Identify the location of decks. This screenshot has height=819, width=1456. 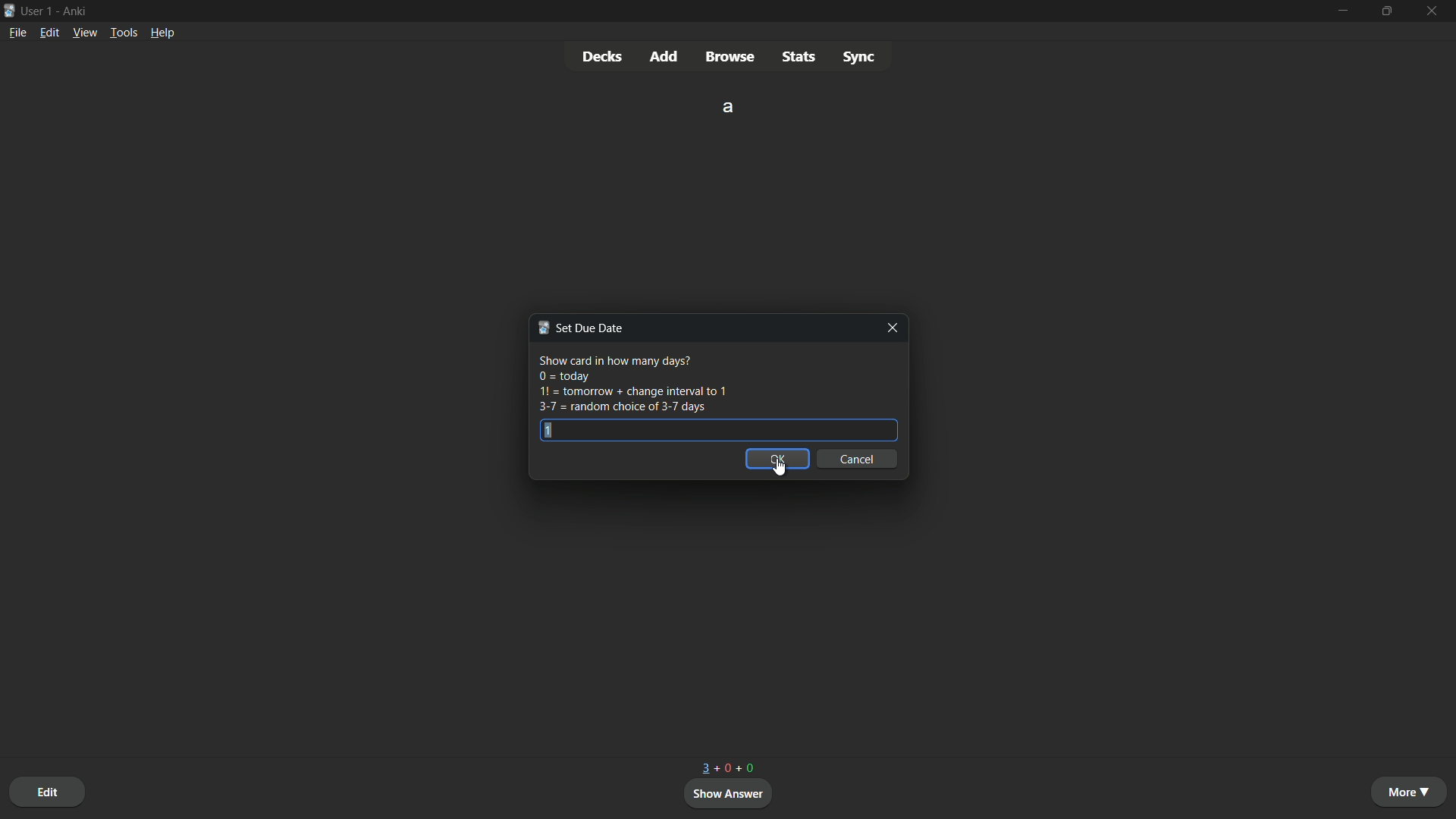
(601, 55).